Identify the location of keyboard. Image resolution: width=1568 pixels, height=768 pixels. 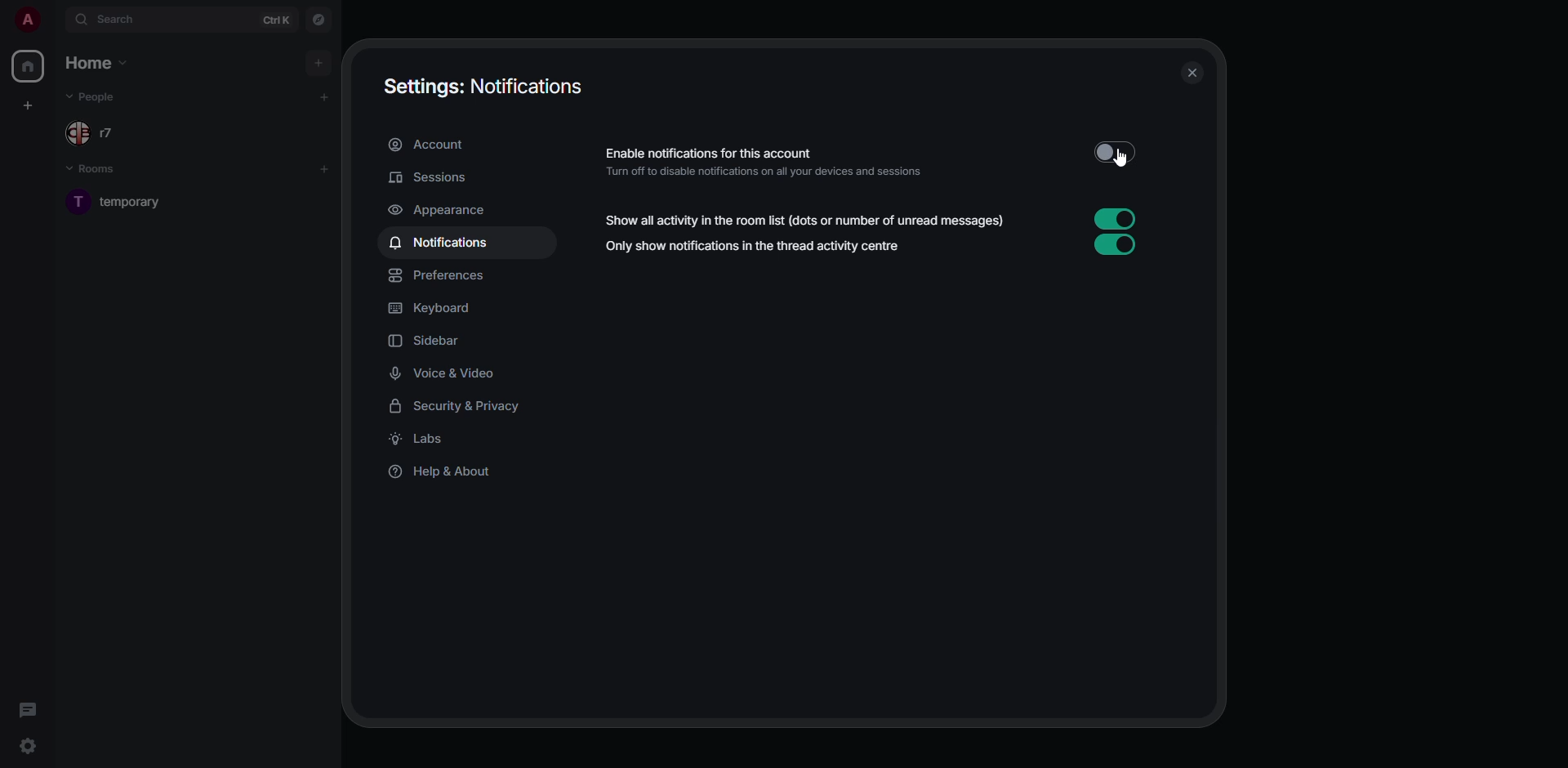
(434, 309).